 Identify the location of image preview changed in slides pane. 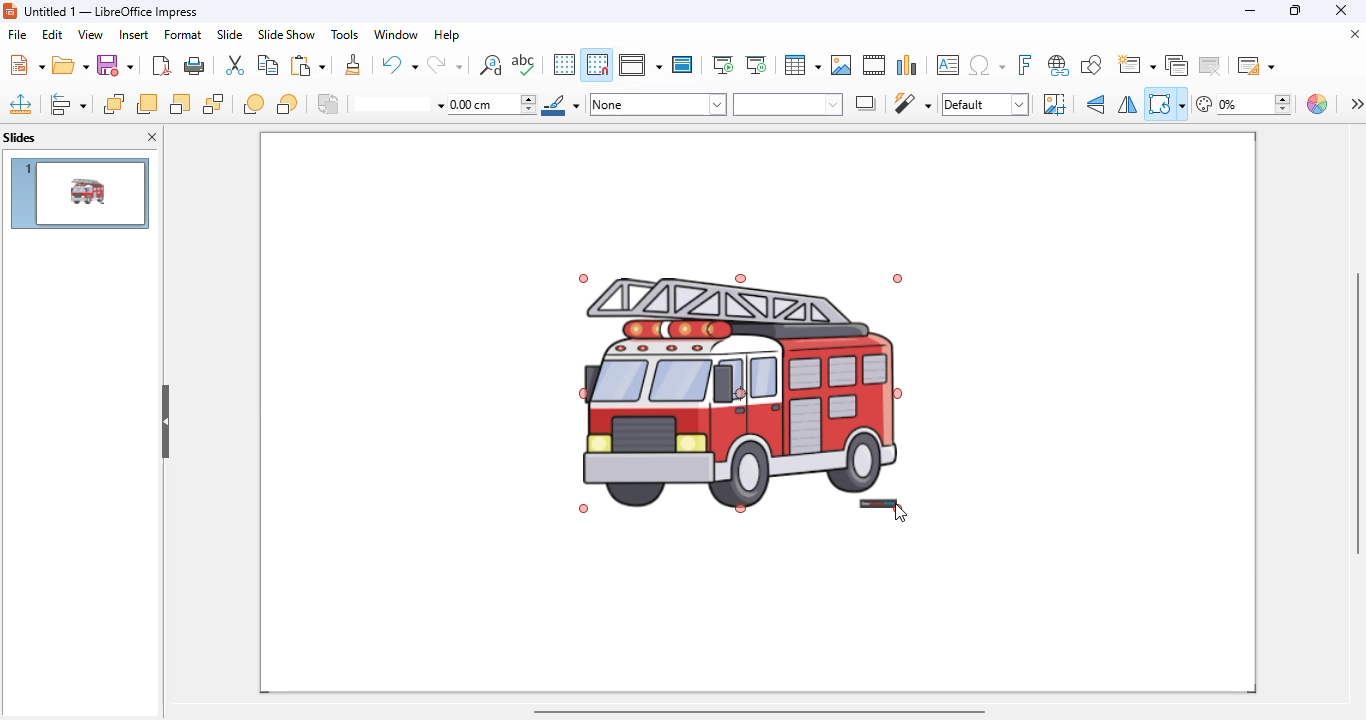
(79, 193).